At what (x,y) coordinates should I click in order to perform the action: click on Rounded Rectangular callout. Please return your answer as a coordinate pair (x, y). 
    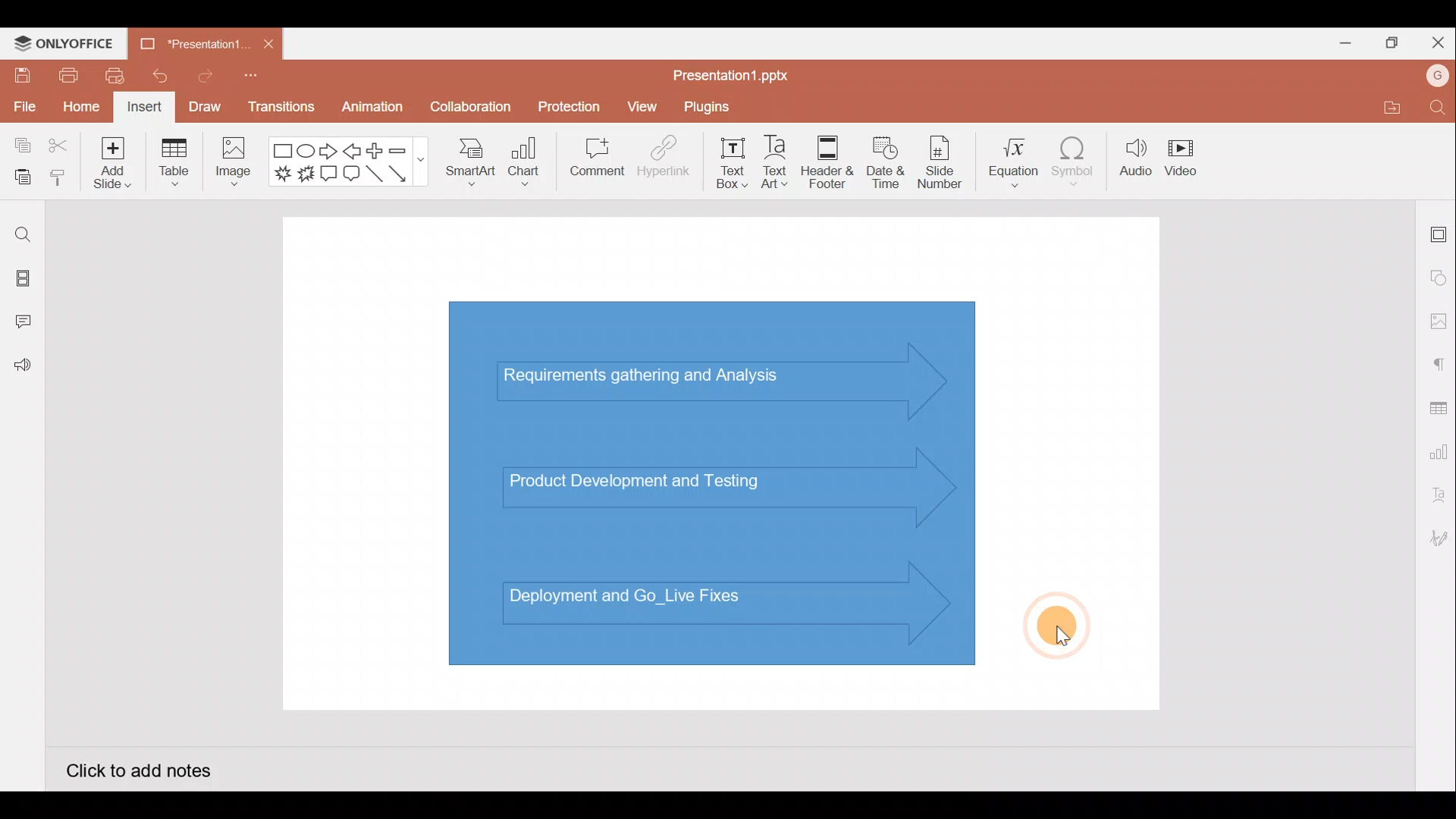
    Looking at the image, I should click on (351, 171).